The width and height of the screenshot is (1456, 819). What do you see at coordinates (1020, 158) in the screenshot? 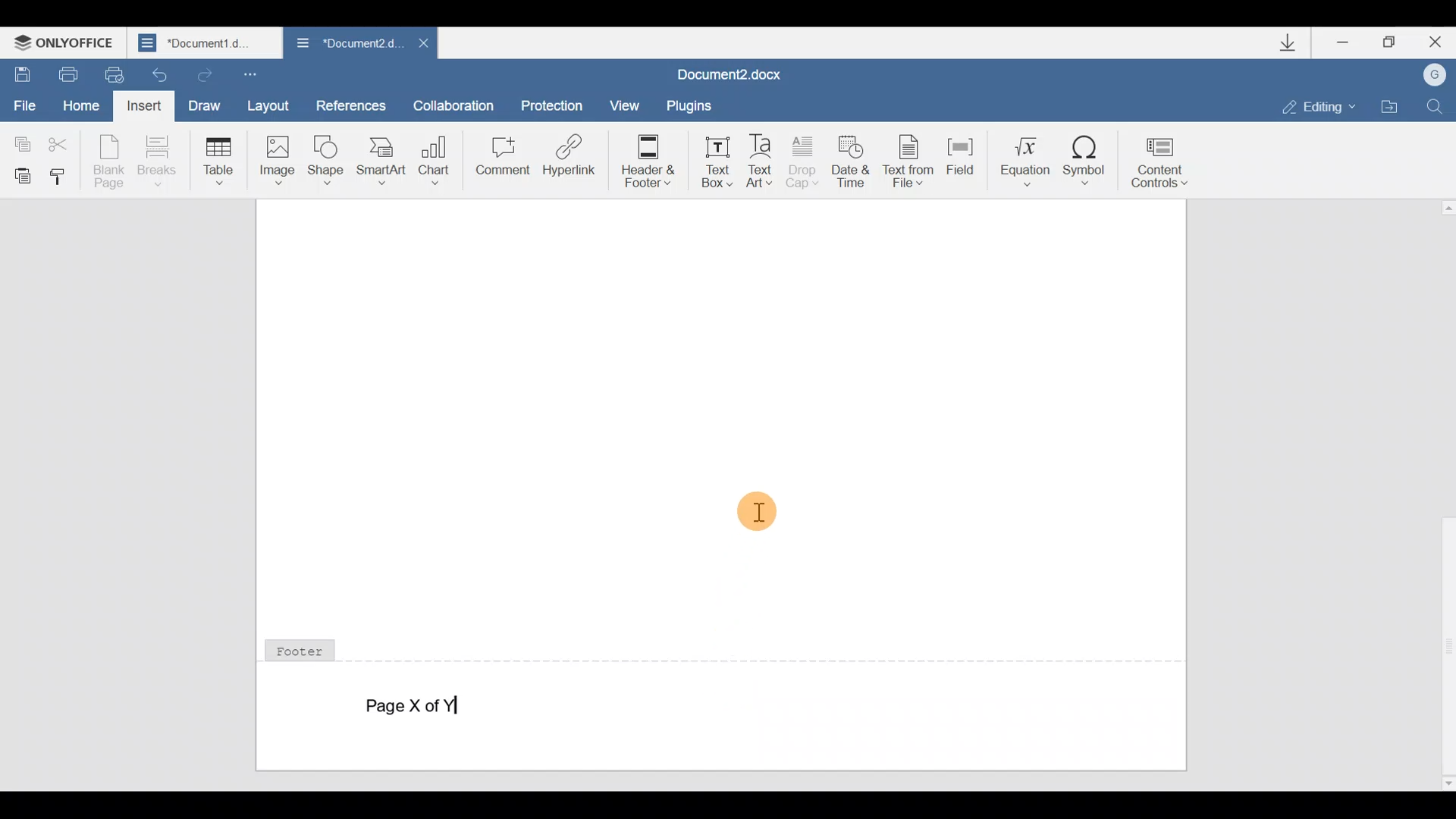
I see `Equation` at bounding box center [1020, 158].